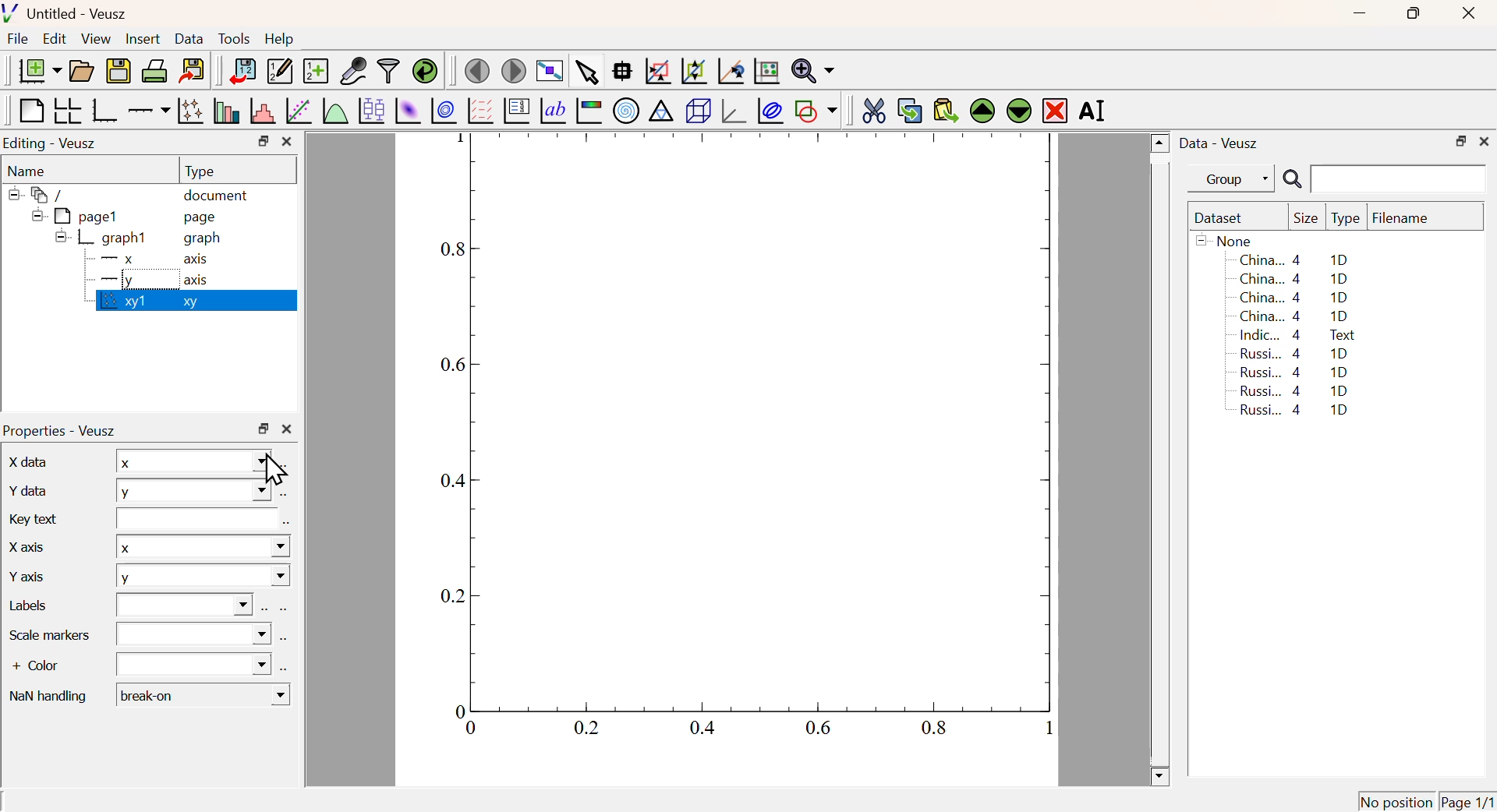 The width and height of the screenshot is (1497, 812). I want to click on Image Color bar, so click(589, 111).